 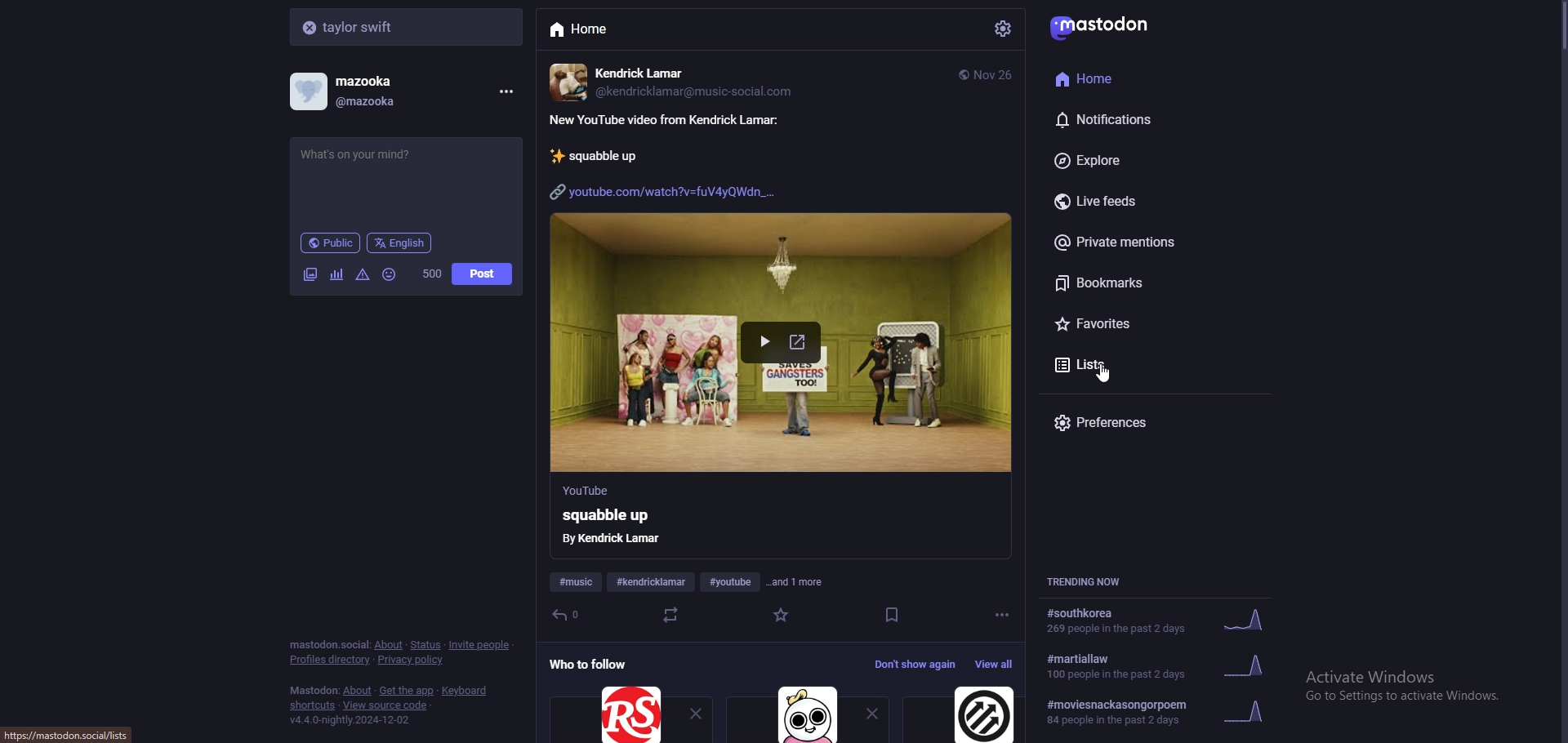 I want to click on version, so click(x=349, y=720).